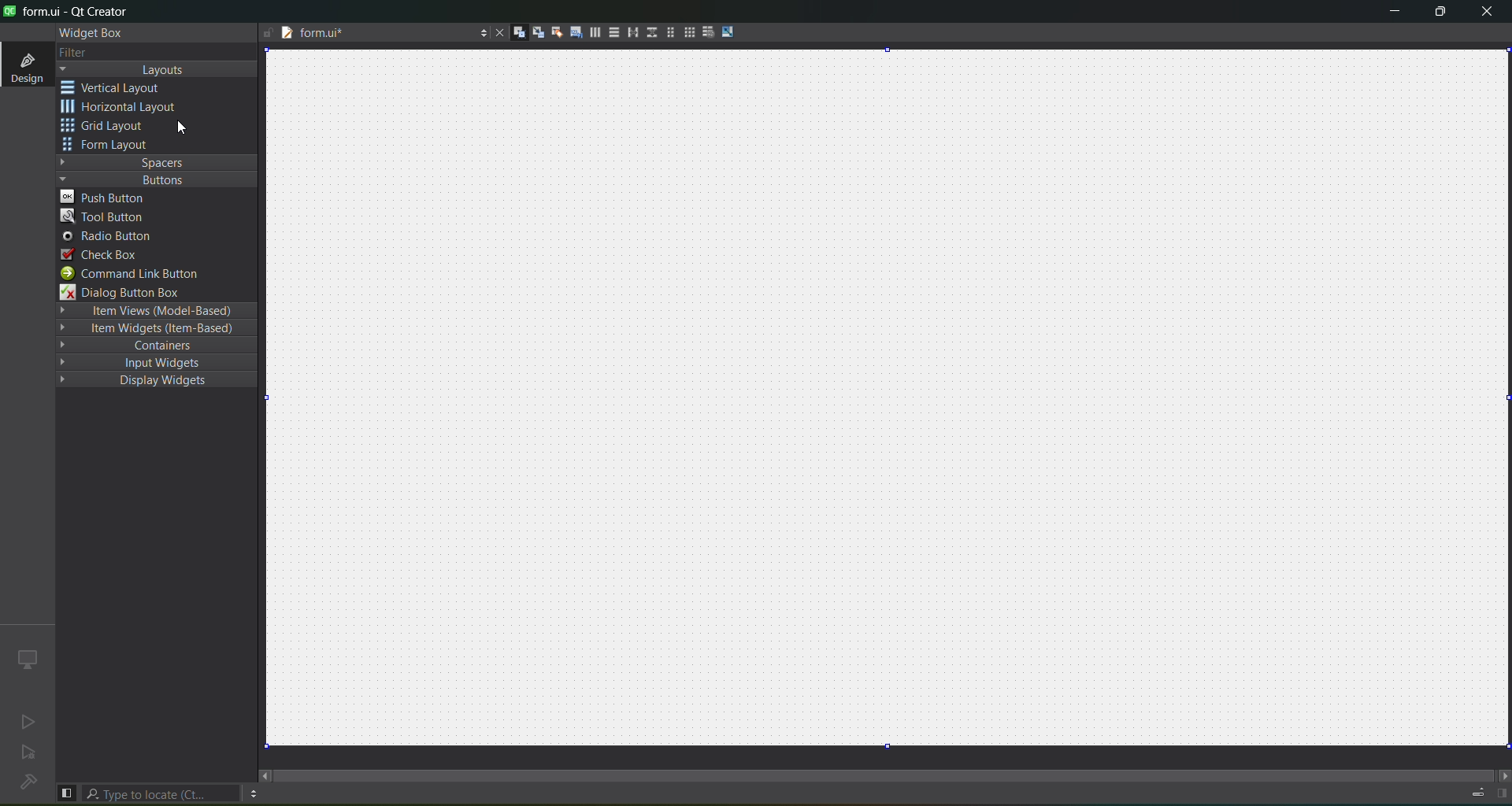  I want to click on layout in a grid, so click(688, 34).